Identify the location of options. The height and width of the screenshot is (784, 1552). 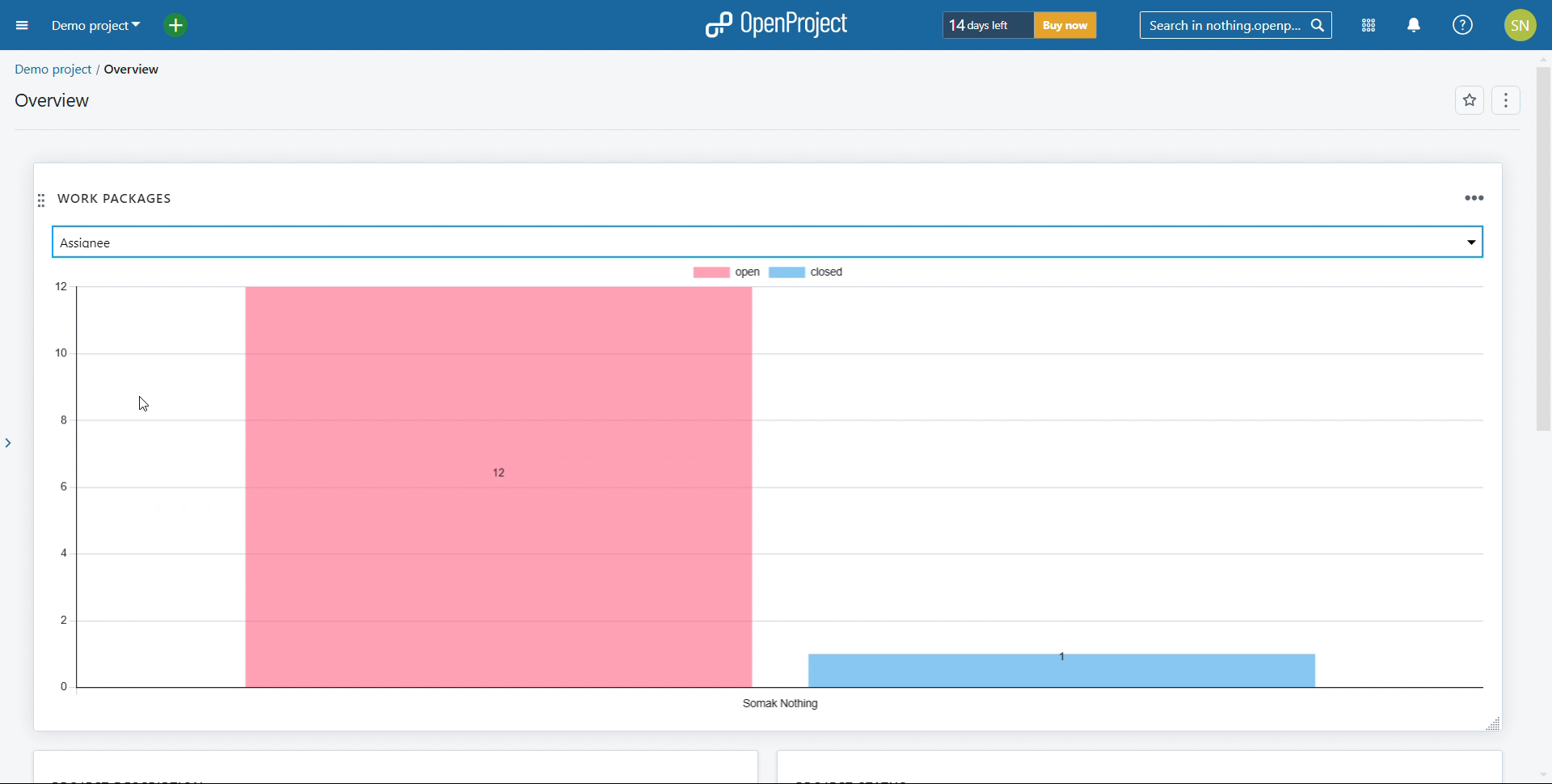
(1506, 100).